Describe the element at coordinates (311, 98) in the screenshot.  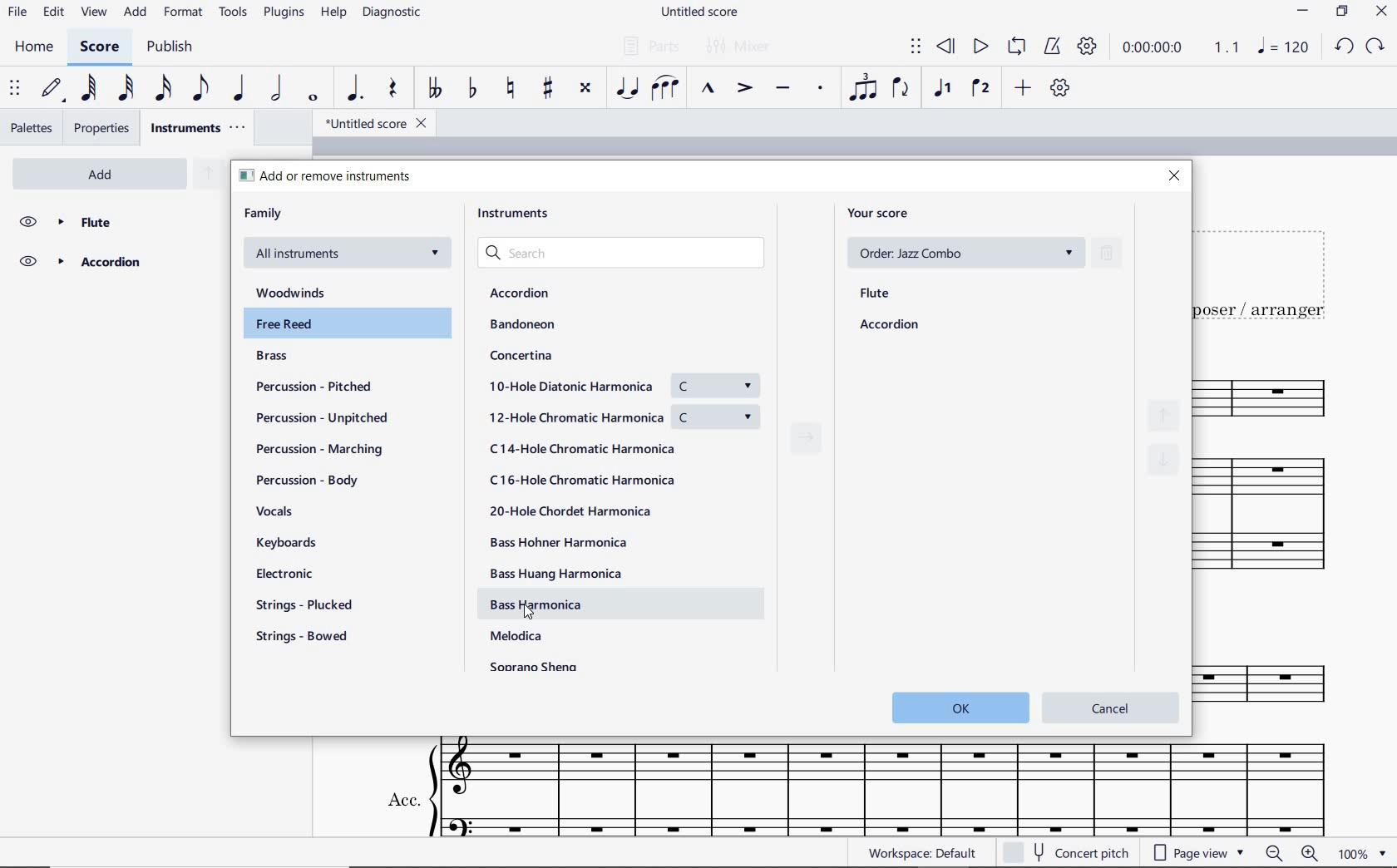
I see `whole note` at that location.